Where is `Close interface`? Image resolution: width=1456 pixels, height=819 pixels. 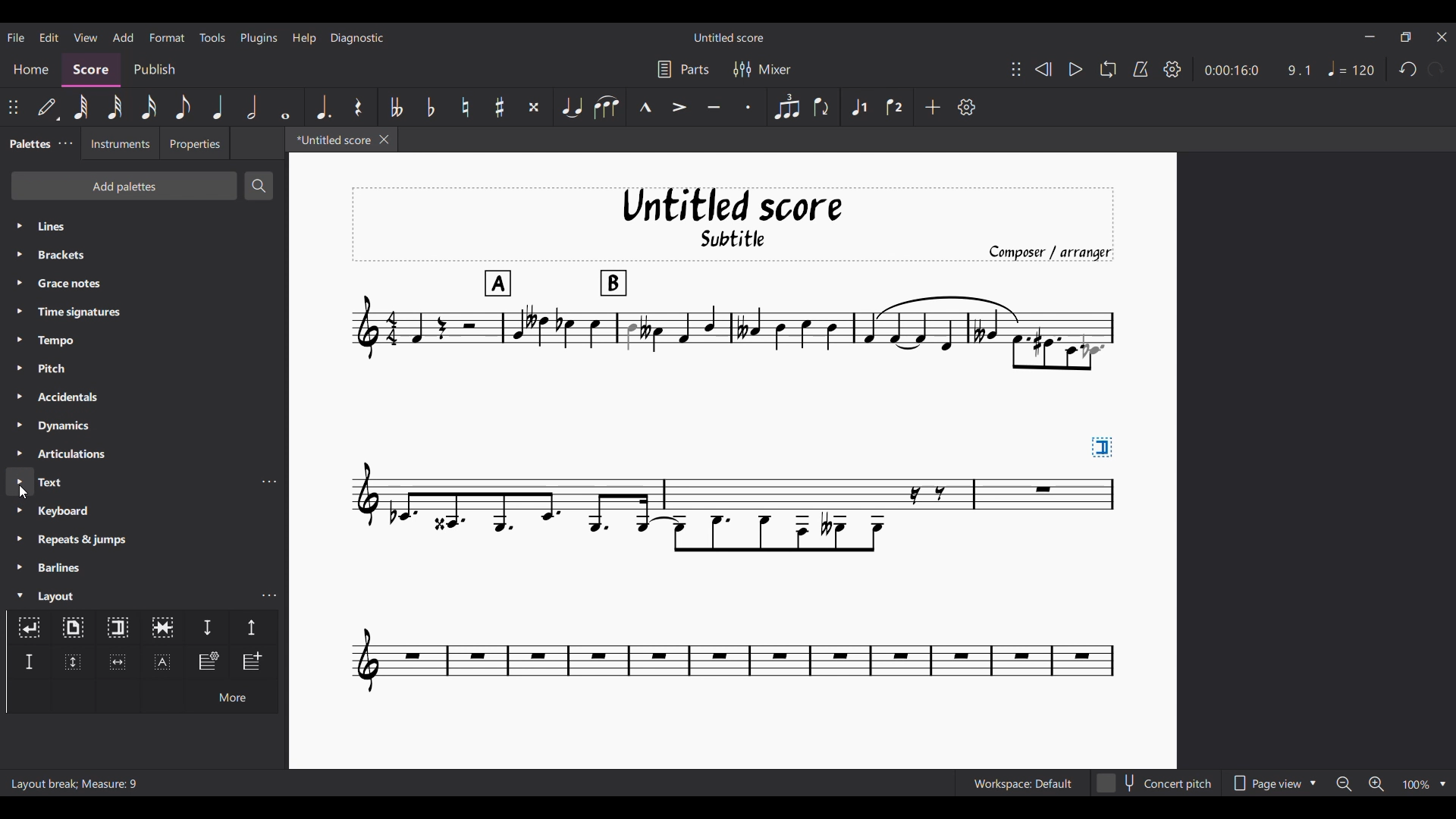 Close interface is located at coordinates (1442, 37).